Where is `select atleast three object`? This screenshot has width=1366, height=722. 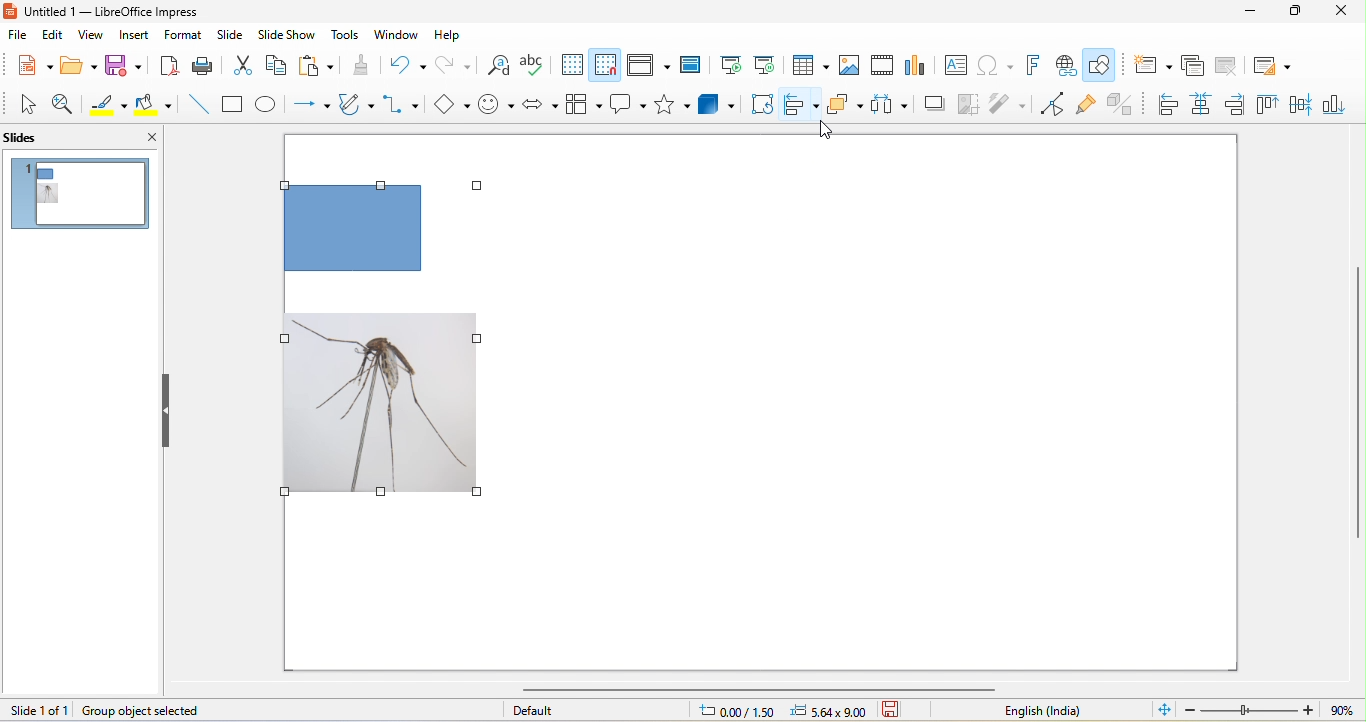
select atleast three object is located at coordinates (890, 105).